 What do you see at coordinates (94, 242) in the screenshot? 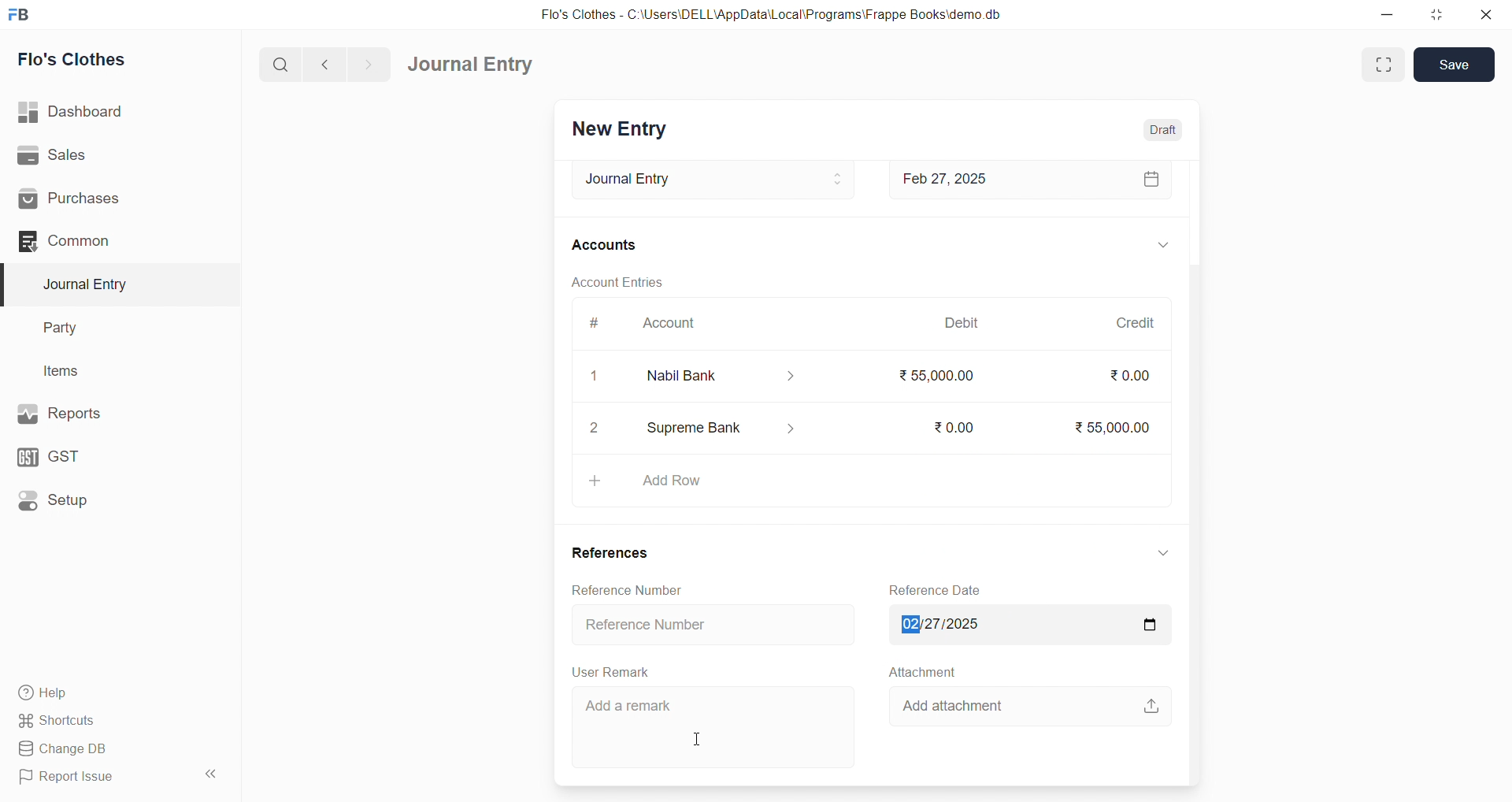
I see `Common` at bounding box center [94, 242].